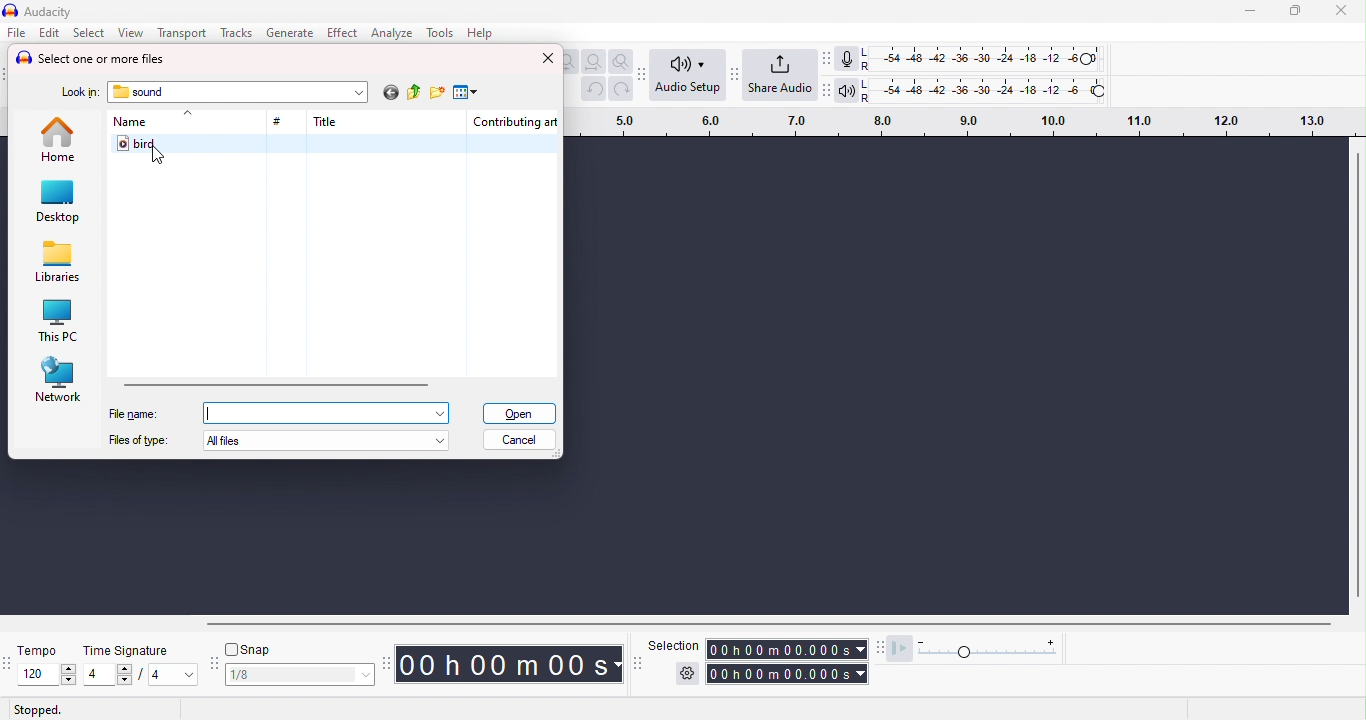  What do you see at coordinates (129, 122) in the screenshot?
I see `name` at bounding box center [129, 122].